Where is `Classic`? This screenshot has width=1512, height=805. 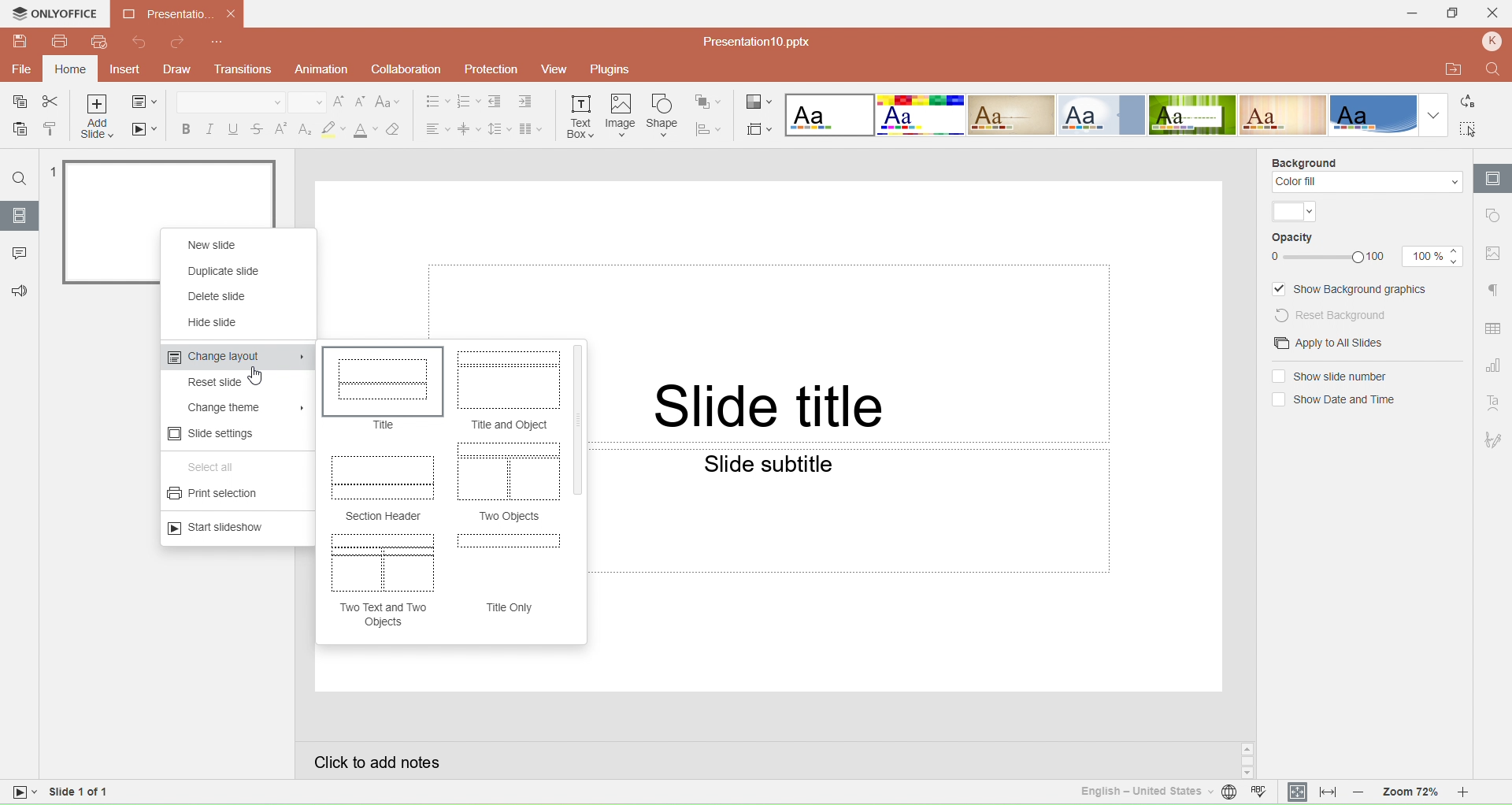 Classic is located at coordinates (1011, 115).